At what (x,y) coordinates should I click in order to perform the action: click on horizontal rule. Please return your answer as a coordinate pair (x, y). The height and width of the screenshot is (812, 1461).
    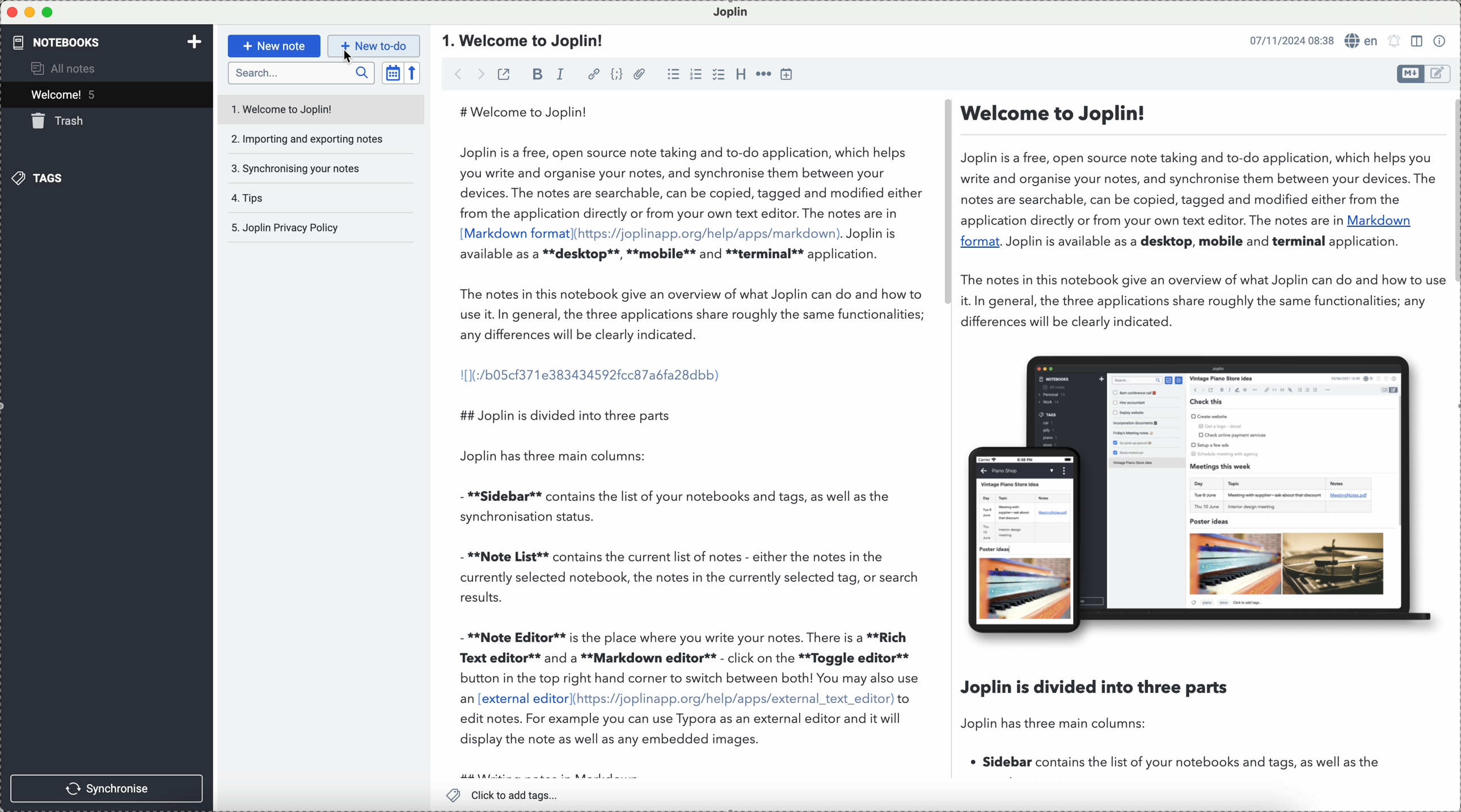
    Looking at the image, I should click on (763, 74).